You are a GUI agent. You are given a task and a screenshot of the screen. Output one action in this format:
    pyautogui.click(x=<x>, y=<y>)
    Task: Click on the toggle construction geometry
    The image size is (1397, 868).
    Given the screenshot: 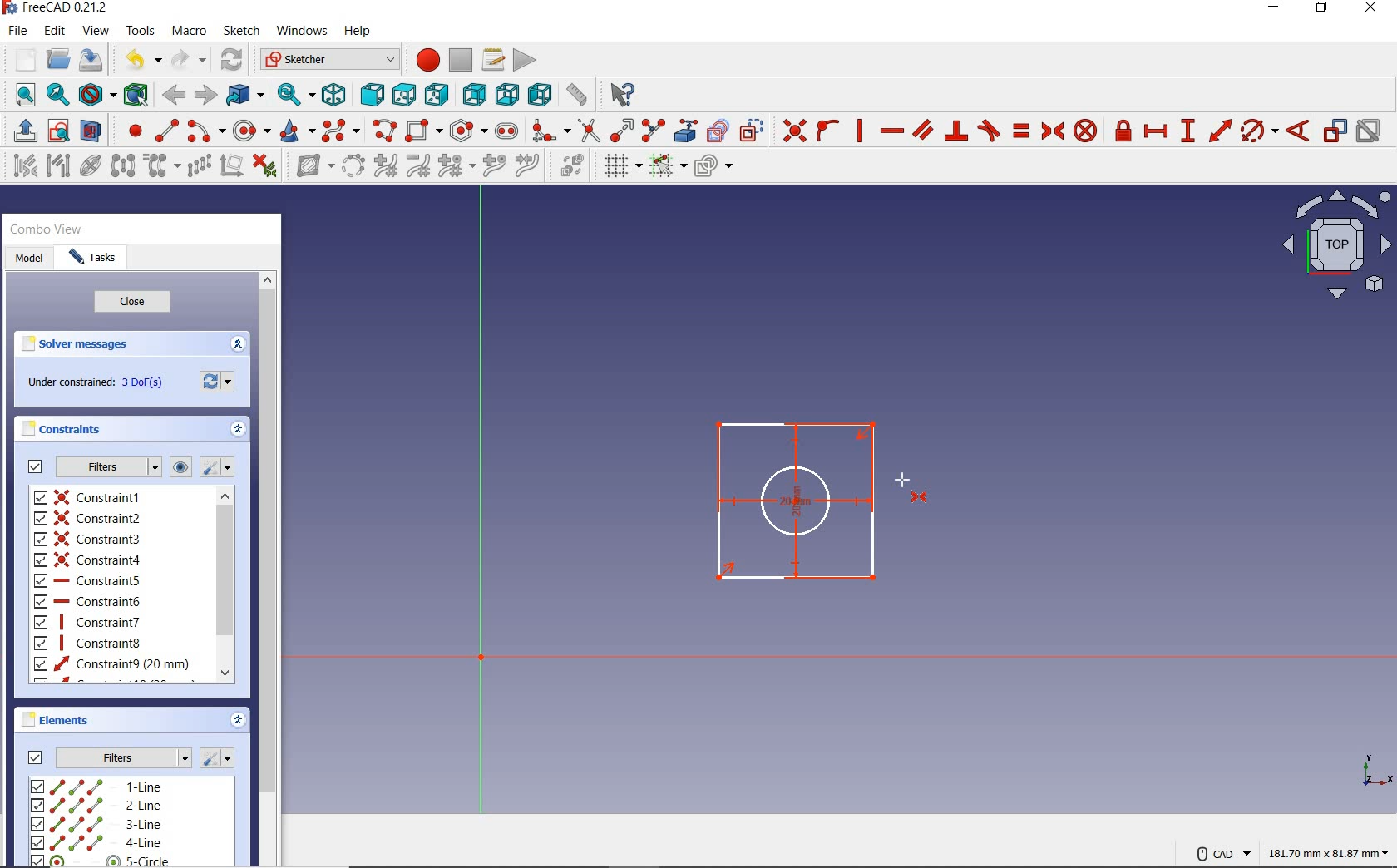 What is the action you would take?
    pyautogui.click(x=753, y=128)
    